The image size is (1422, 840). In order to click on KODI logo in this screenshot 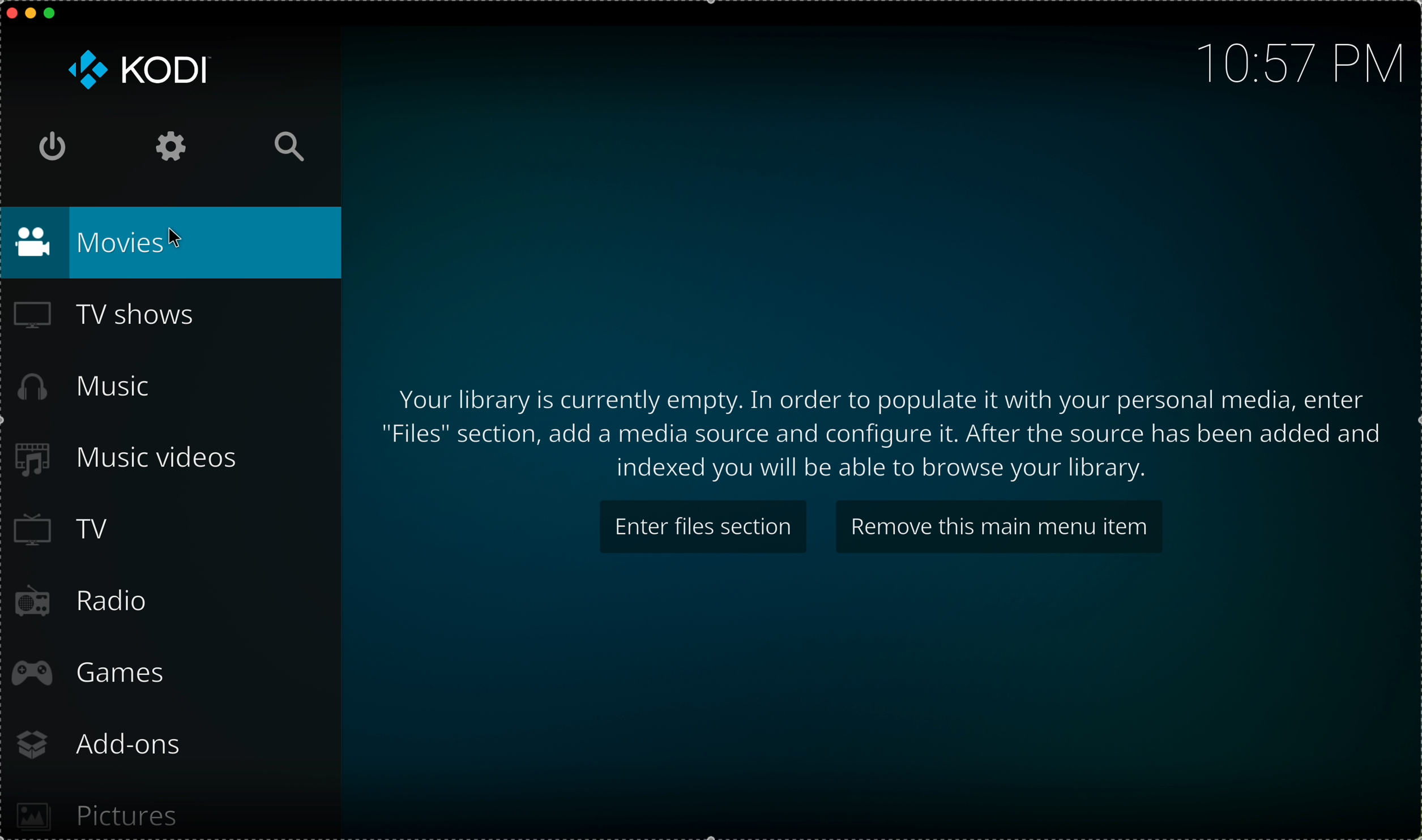, I will do `click(139, 69)`.